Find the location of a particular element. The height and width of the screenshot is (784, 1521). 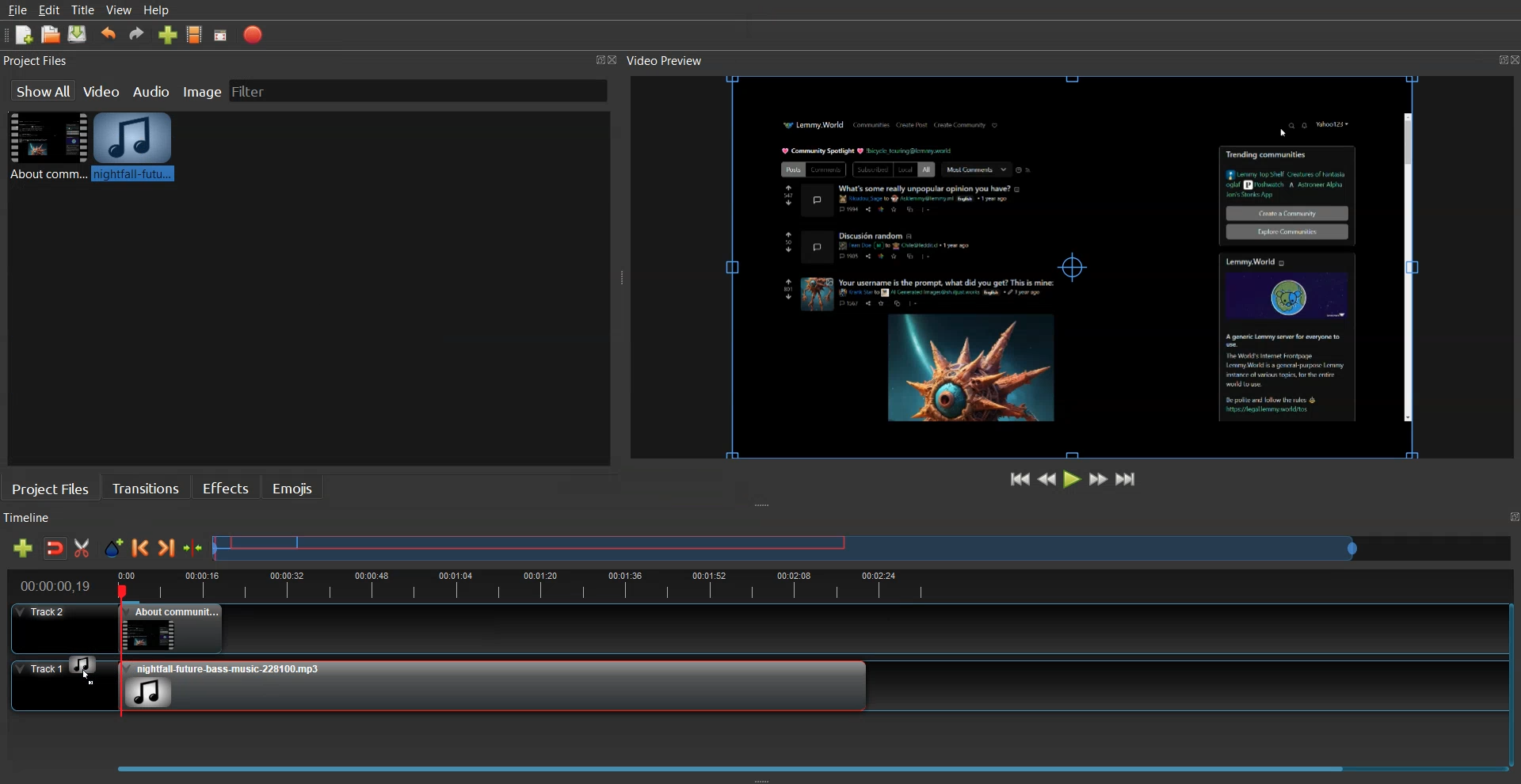

New Project is located at coordinates (25, 36).